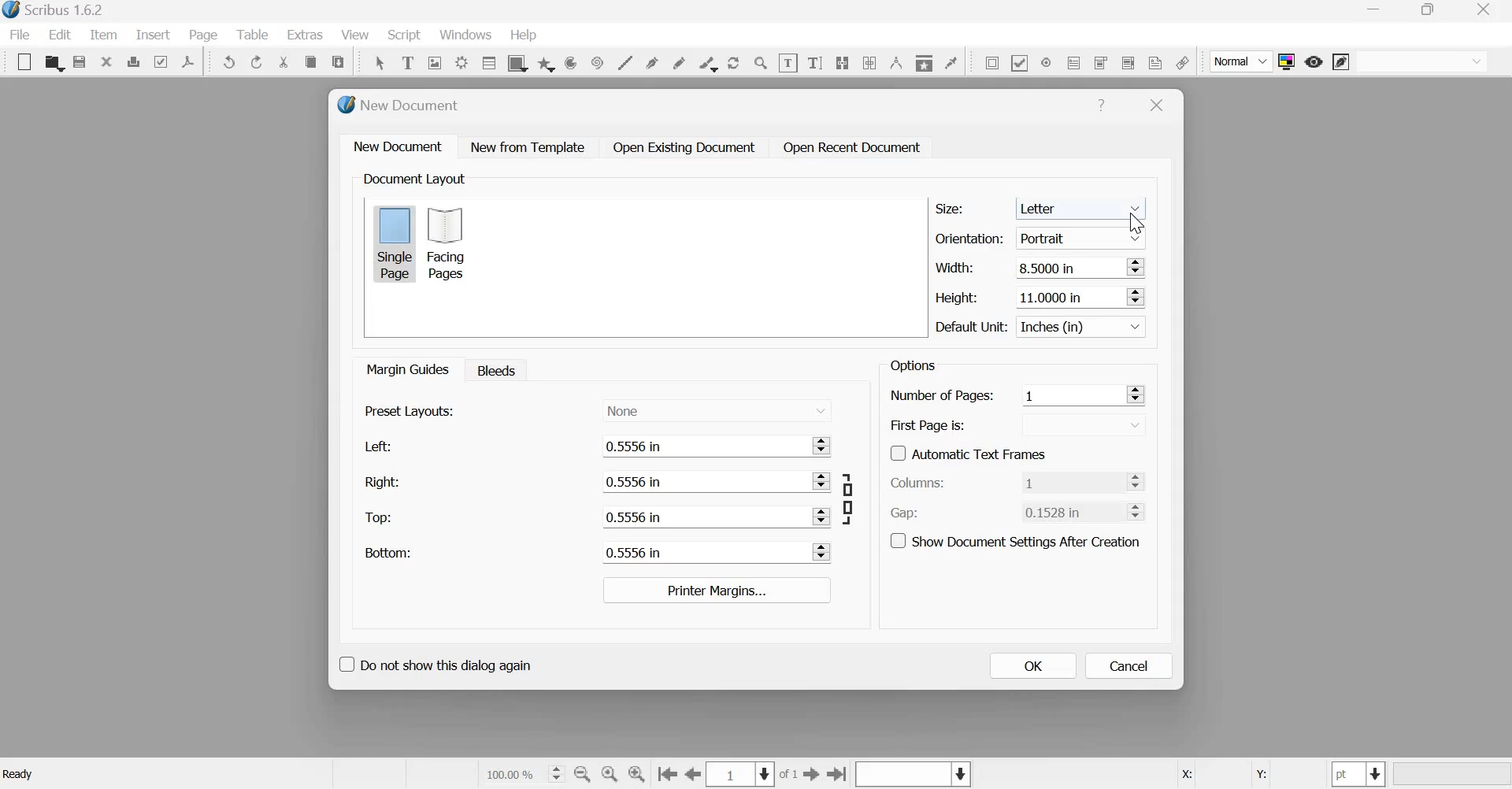 The height and width of the screenshot is (789, 1512). Describe the element at coordinates (1101, 106) in the screenshot. I see `Help` at that location.